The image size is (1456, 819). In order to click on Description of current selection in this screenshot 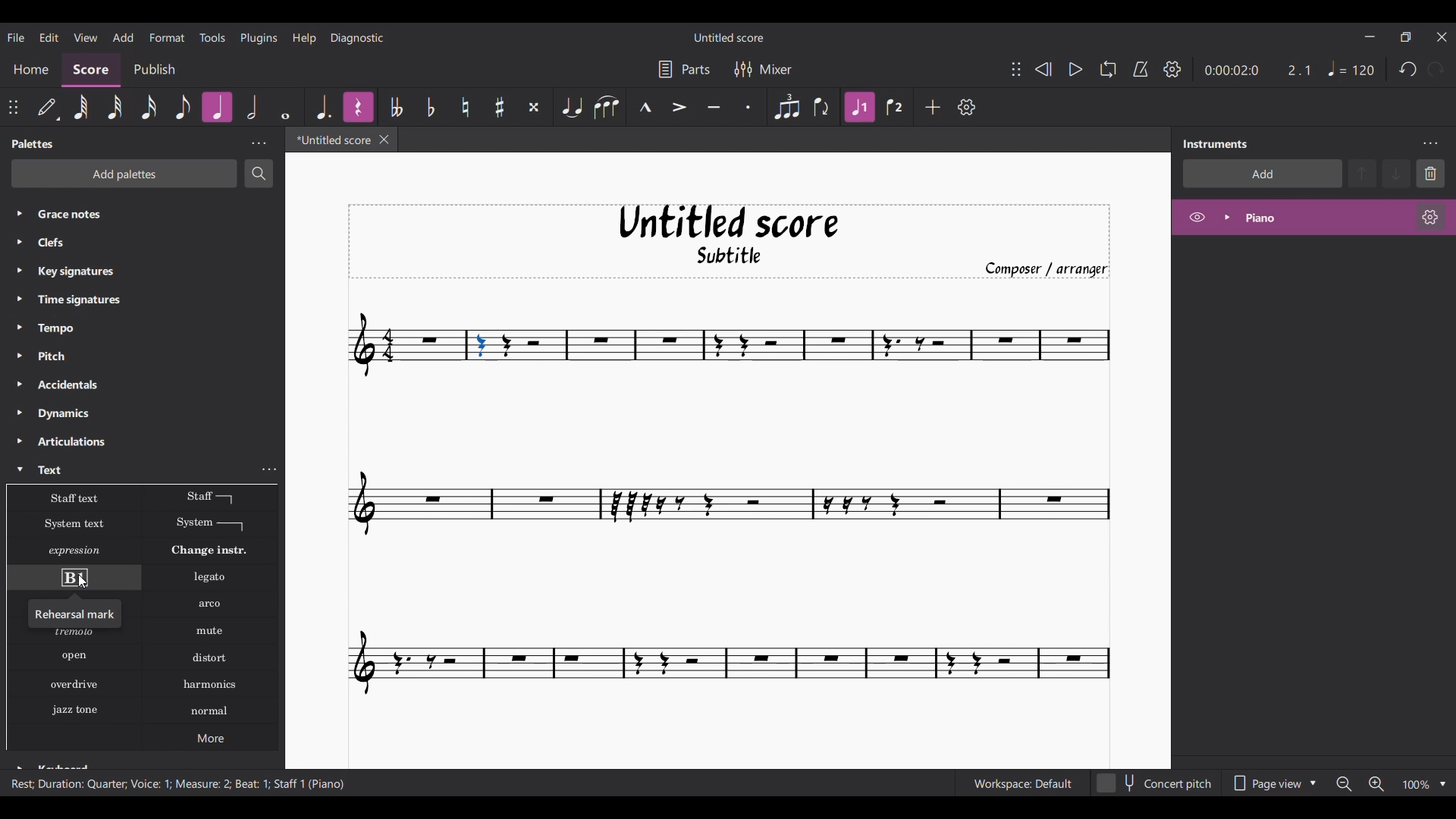, I will do `click(177, 783)`.